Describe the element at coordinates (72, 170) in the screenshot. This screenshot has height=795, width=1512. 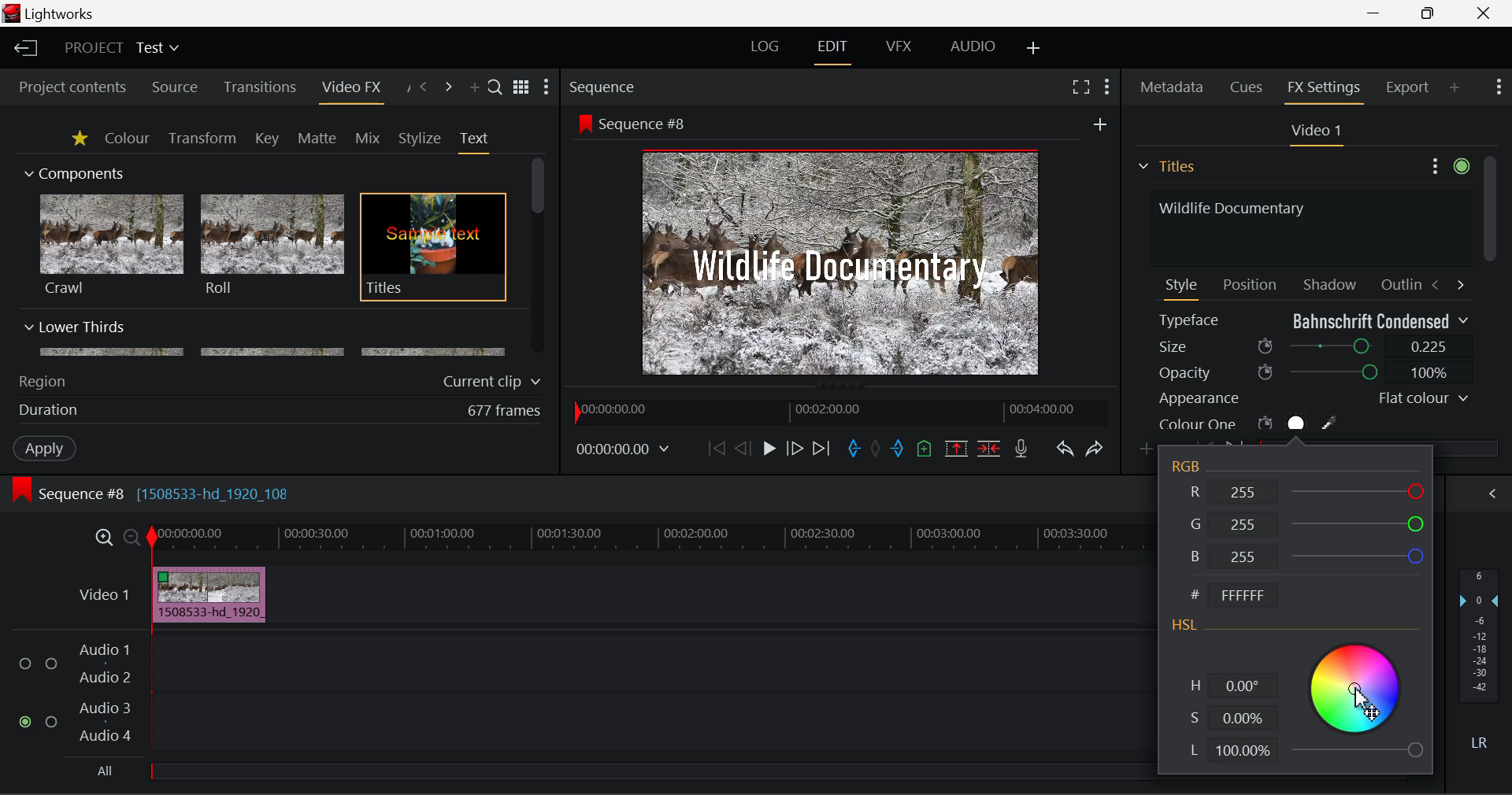
I see `Components Section` at that location.